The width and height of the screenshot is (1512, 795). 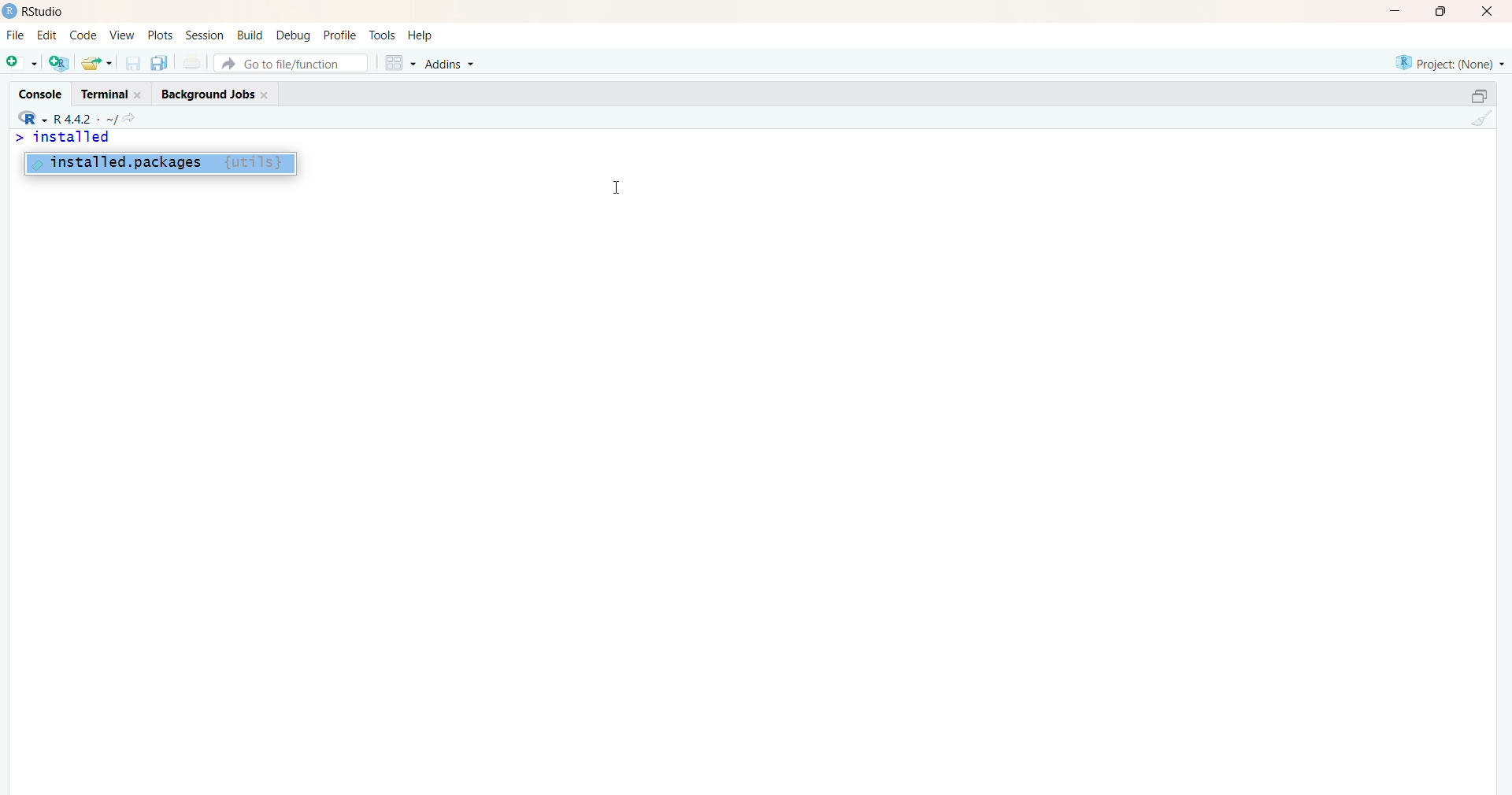 What do you see at coordinates (294, 35) in the screenshot?
I see `debug` at bounding box center [294, 35].